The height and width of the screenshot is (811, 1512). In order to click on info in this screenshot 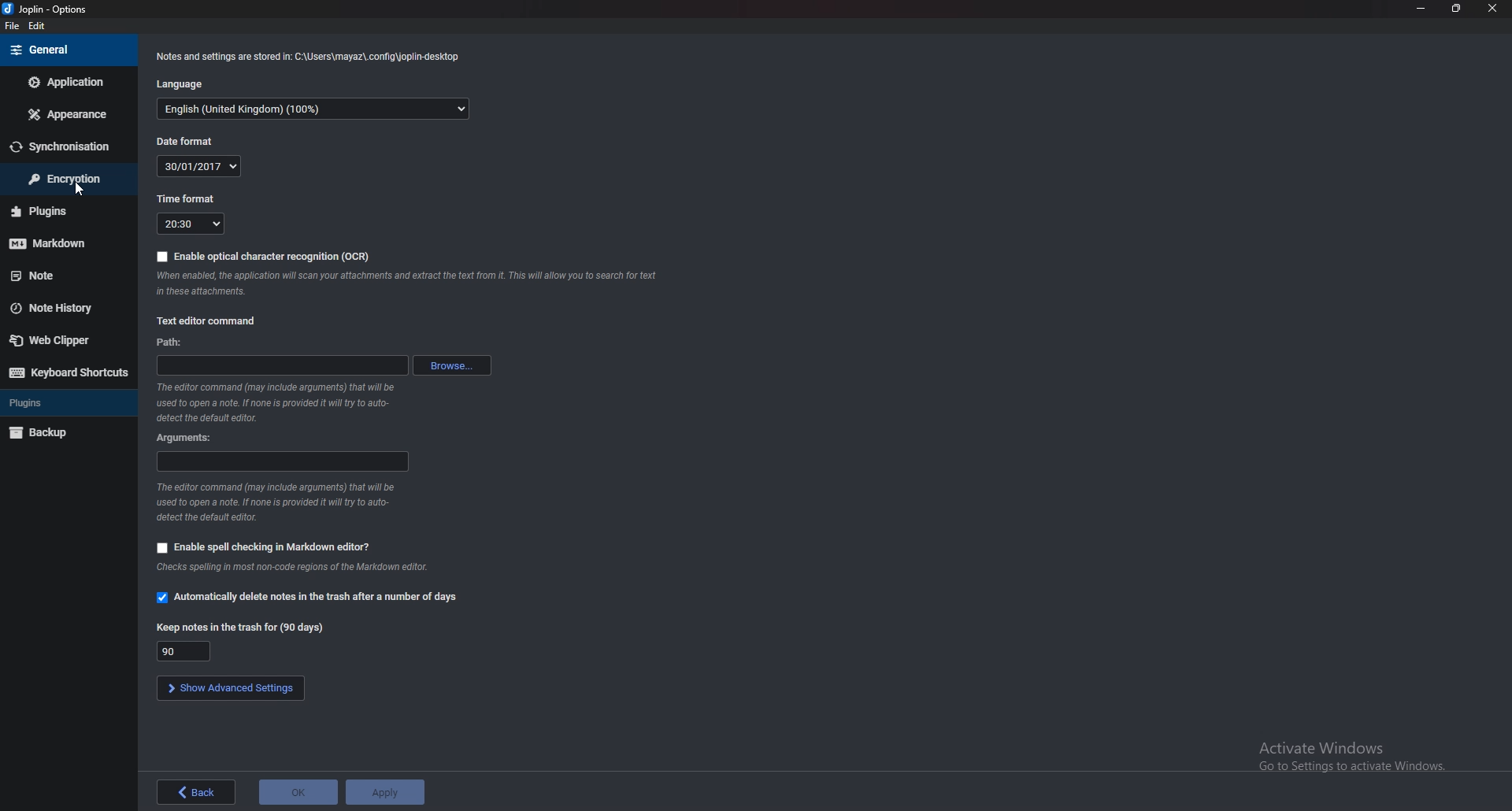, I will do `click(278, 402)`.